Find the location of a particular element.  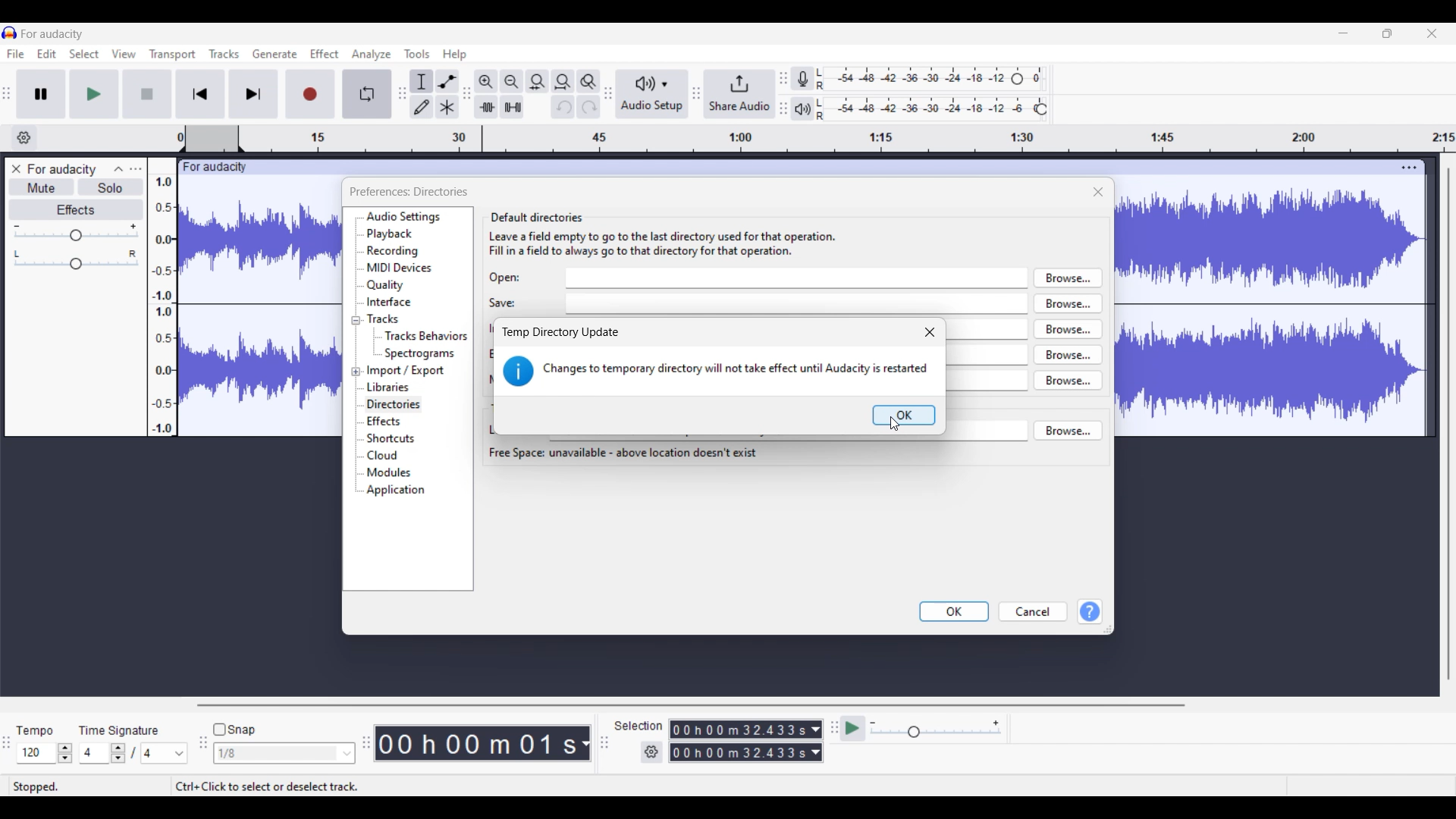

Pause is located at coordinates (42, 94).